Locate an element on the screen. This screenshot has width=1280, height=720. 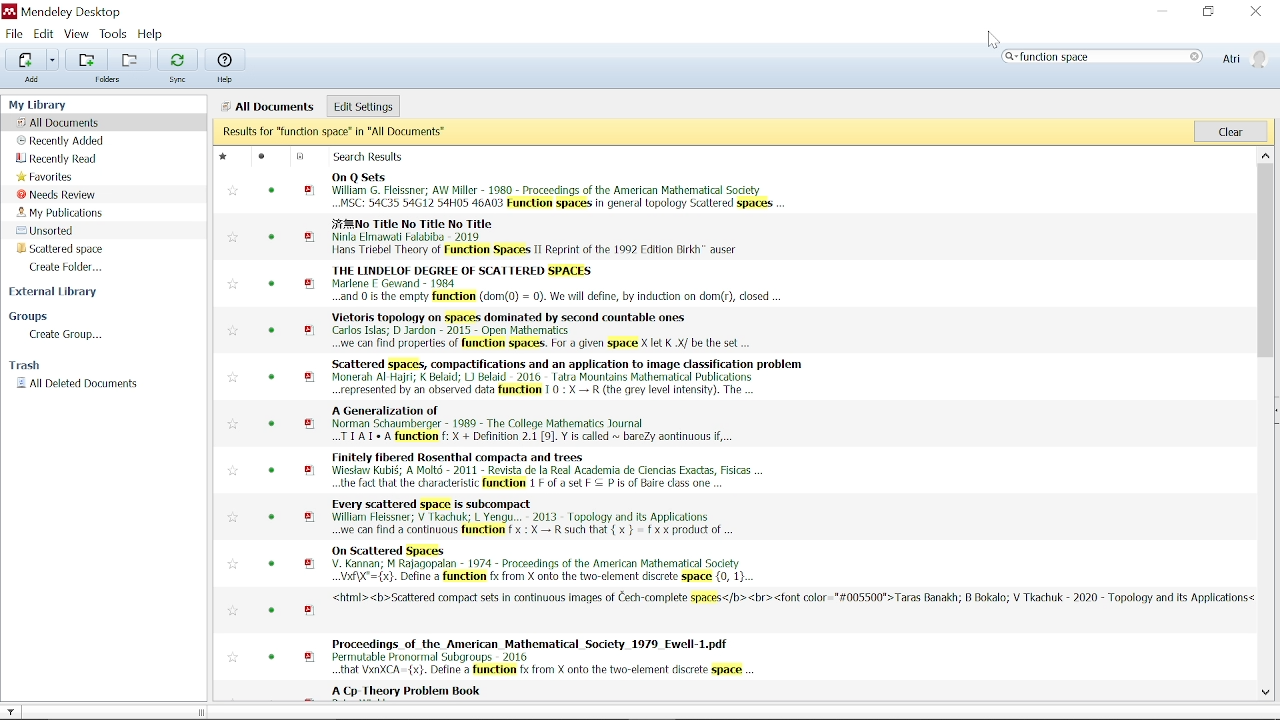
Sync is located at coordinates (178, 66).